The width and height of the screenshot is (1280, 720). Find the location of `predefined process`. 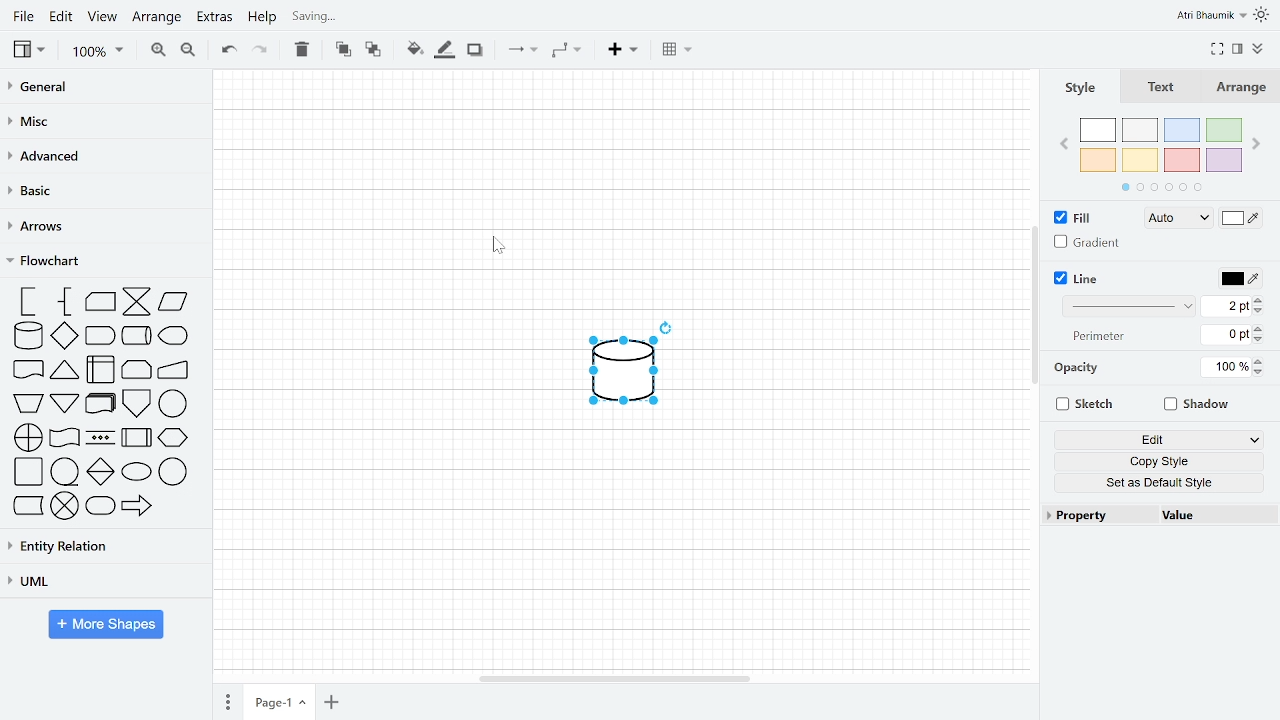

predefined process is located at coordinates (134, 439).